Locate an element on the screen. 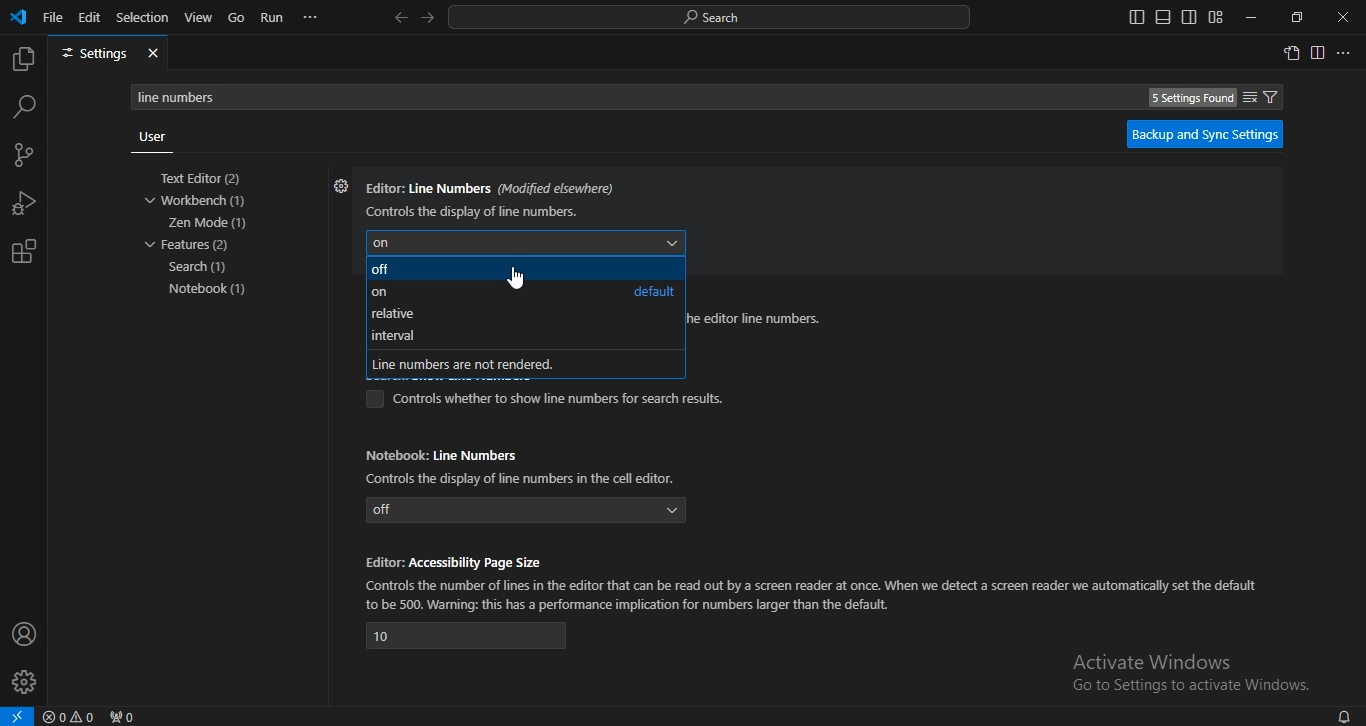 The height and width of the screenshot is (726, 1366). toggle panel is located at coordinates (1162, 17).